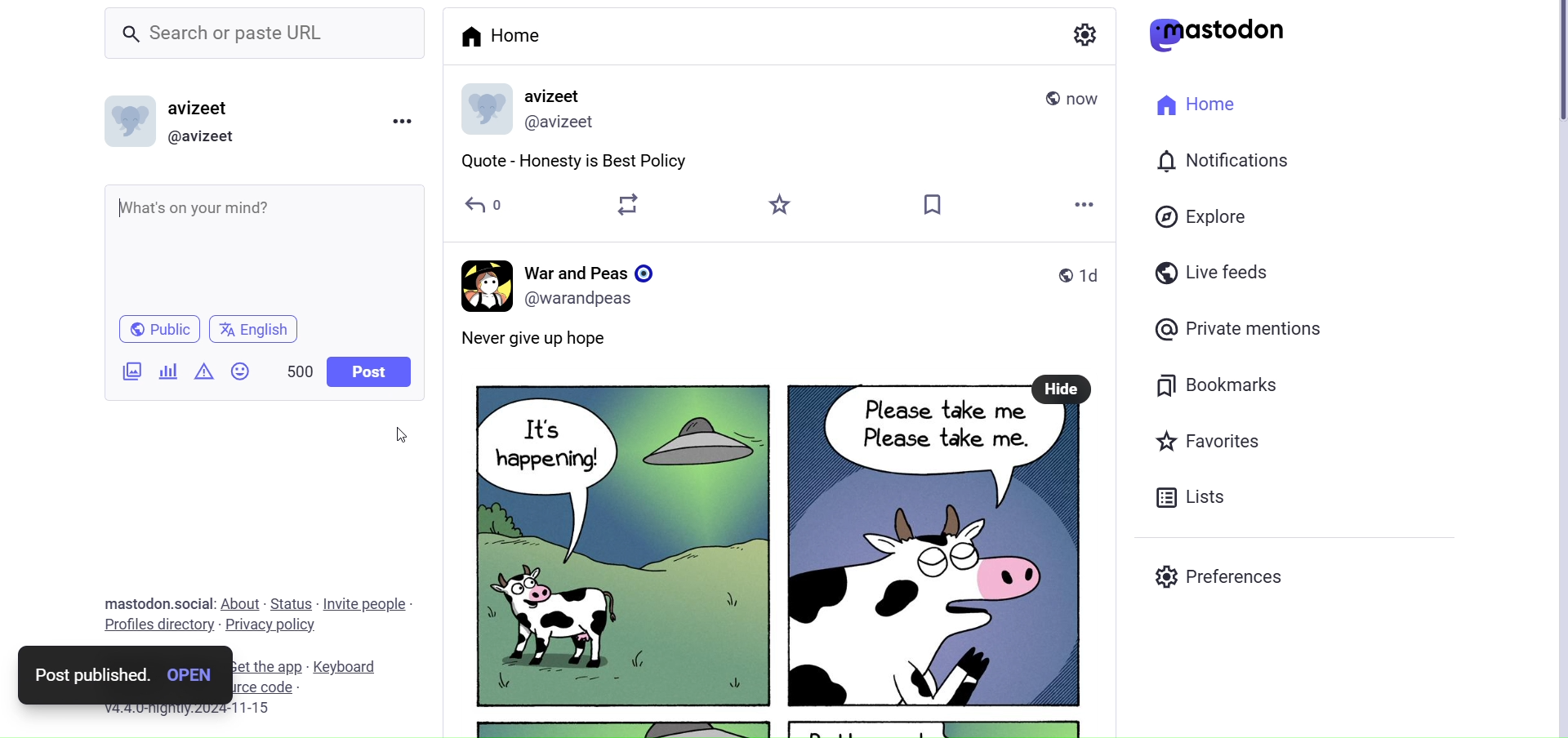 The height and width of the screenshot is (738, 1568). Describe the element at coordinates (371, 373) in the screenshot. I see `Post` at that location.